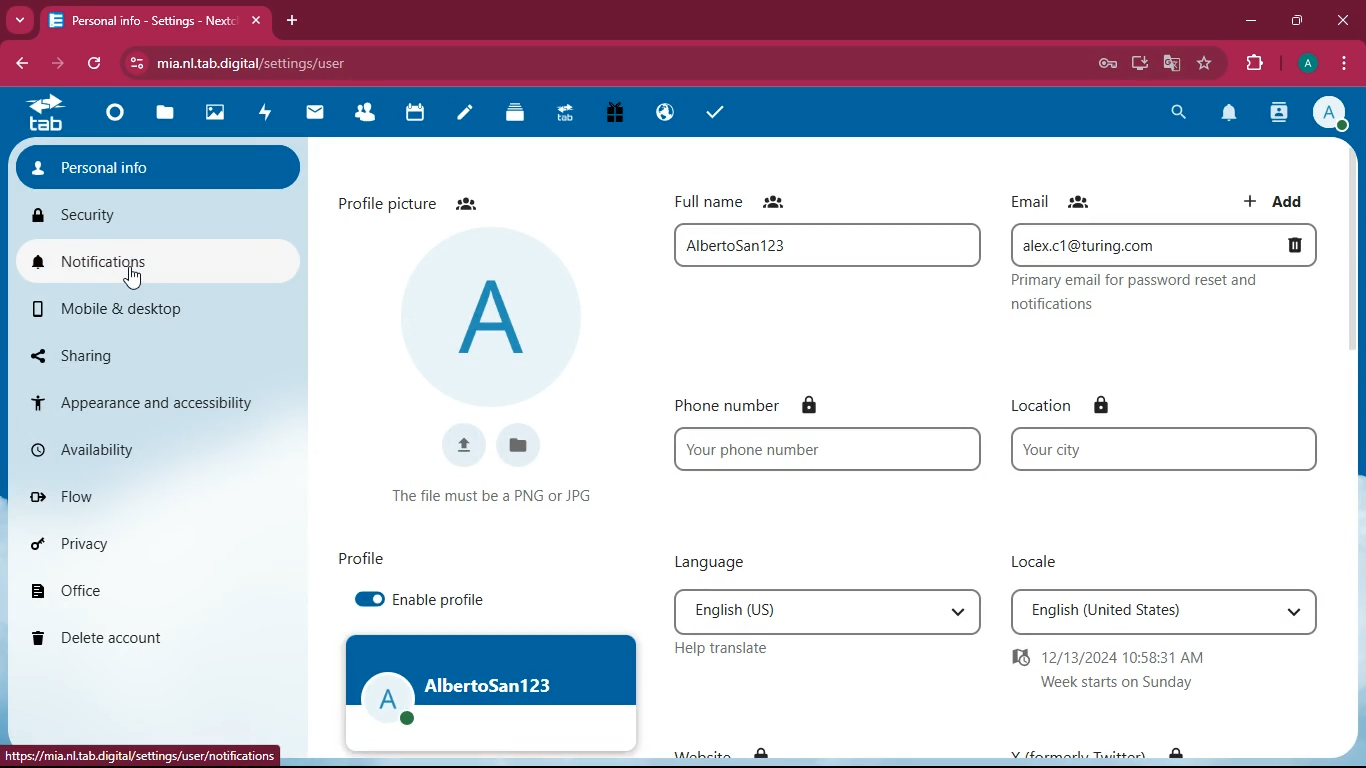 This screenshot has height=768, width=1366. I want to click on close, so click(1340, 21).